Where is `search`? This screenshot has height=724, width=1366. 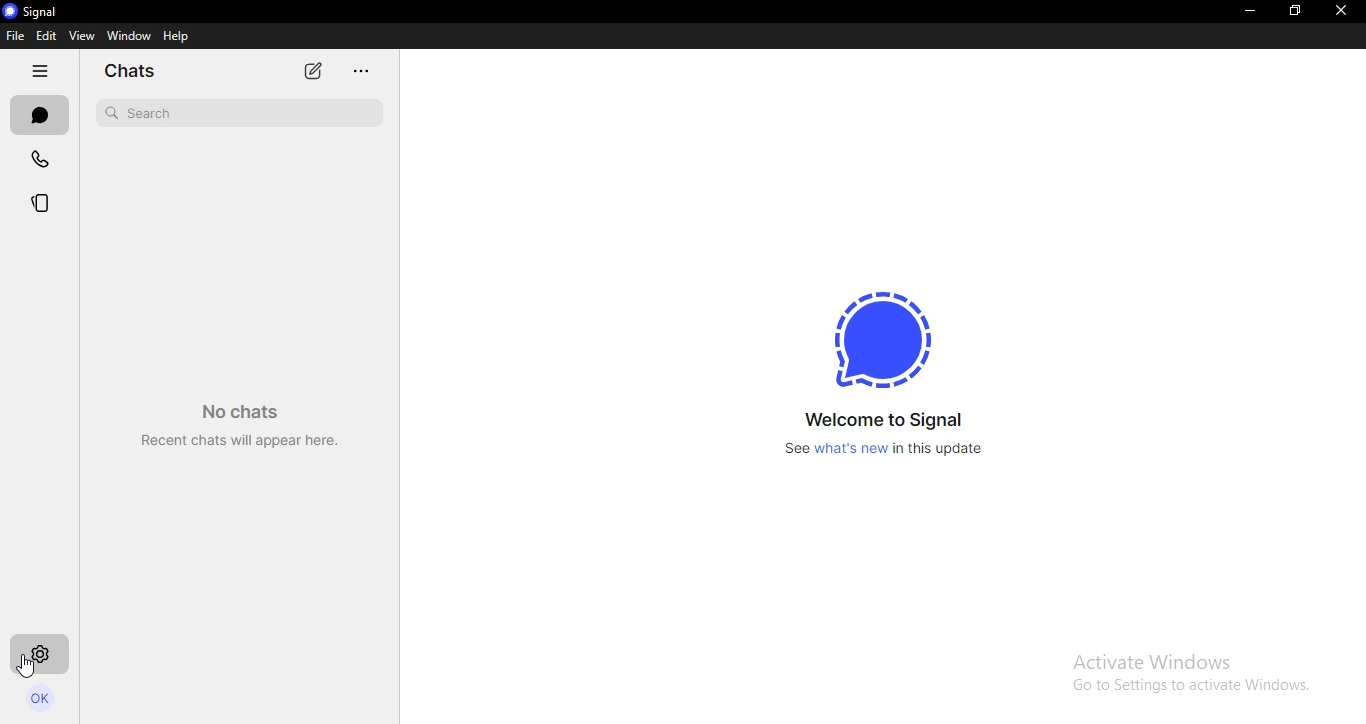
search is located at coordinates (142, 111).